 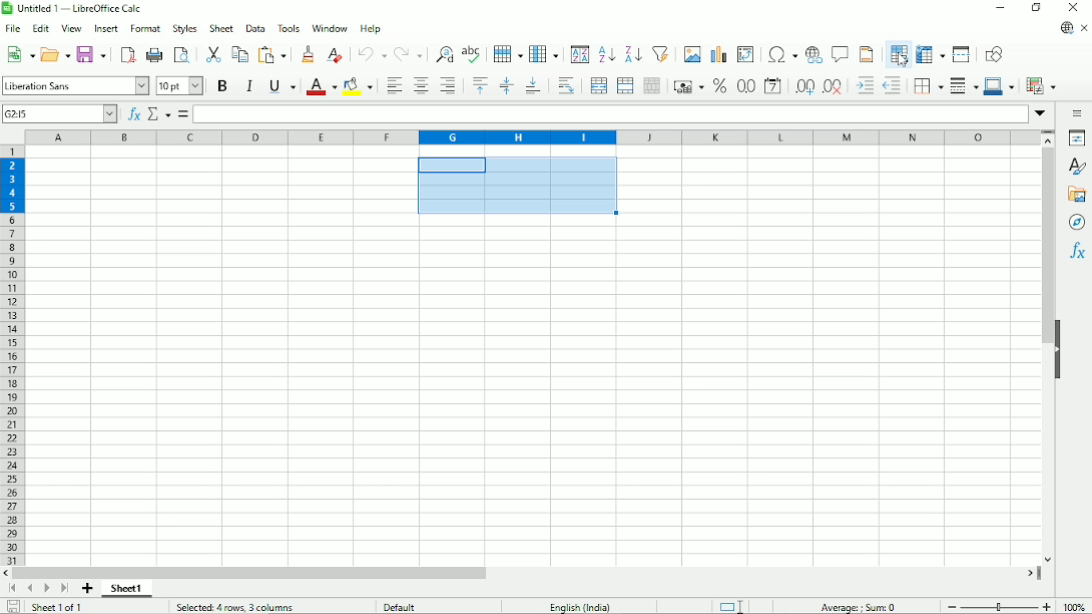 I want to click on Insert or edit pivot table, so click(x=745, y=54).